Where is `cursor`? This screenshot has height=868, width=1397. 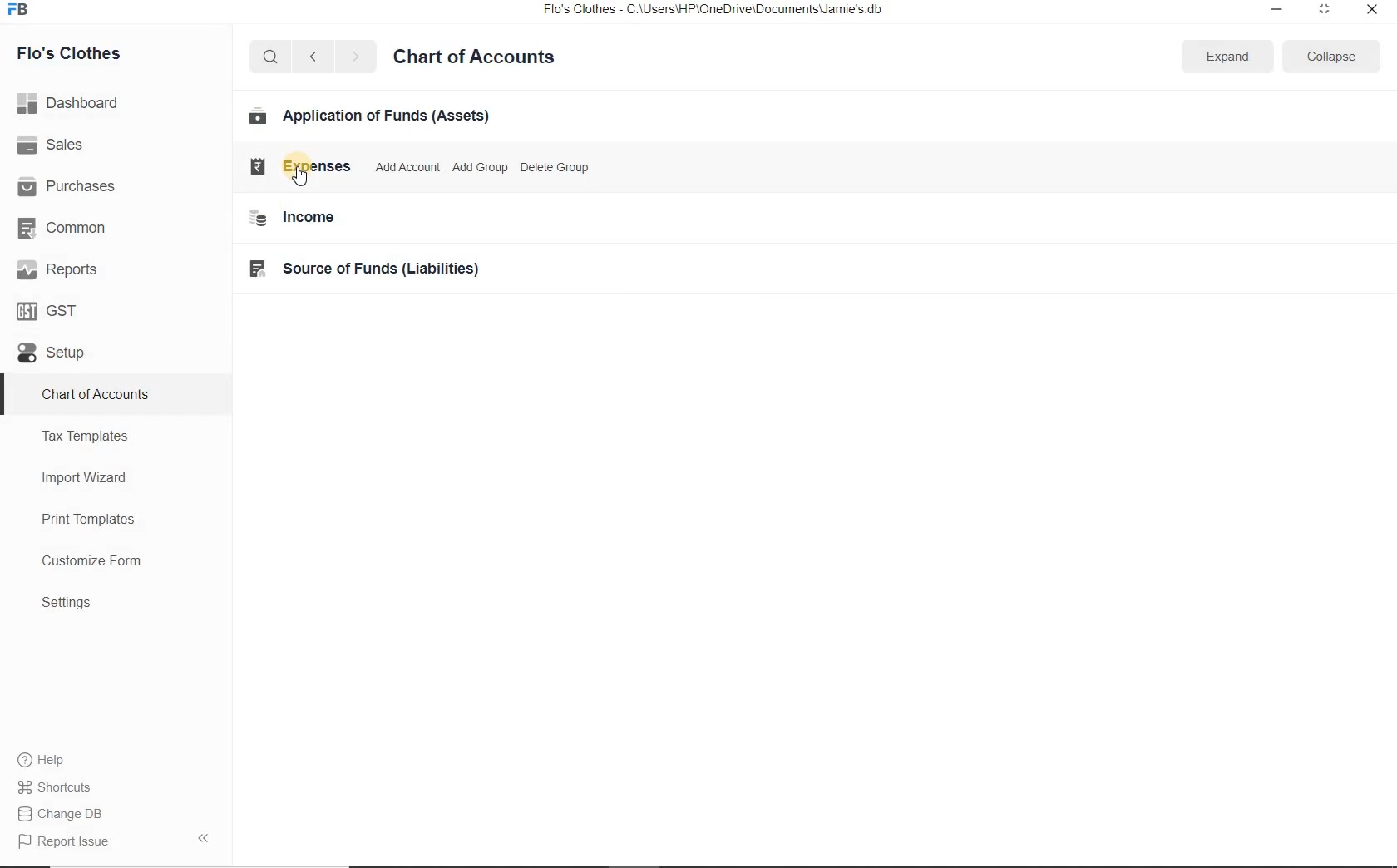
cursor is located at coordinates (300, 179).